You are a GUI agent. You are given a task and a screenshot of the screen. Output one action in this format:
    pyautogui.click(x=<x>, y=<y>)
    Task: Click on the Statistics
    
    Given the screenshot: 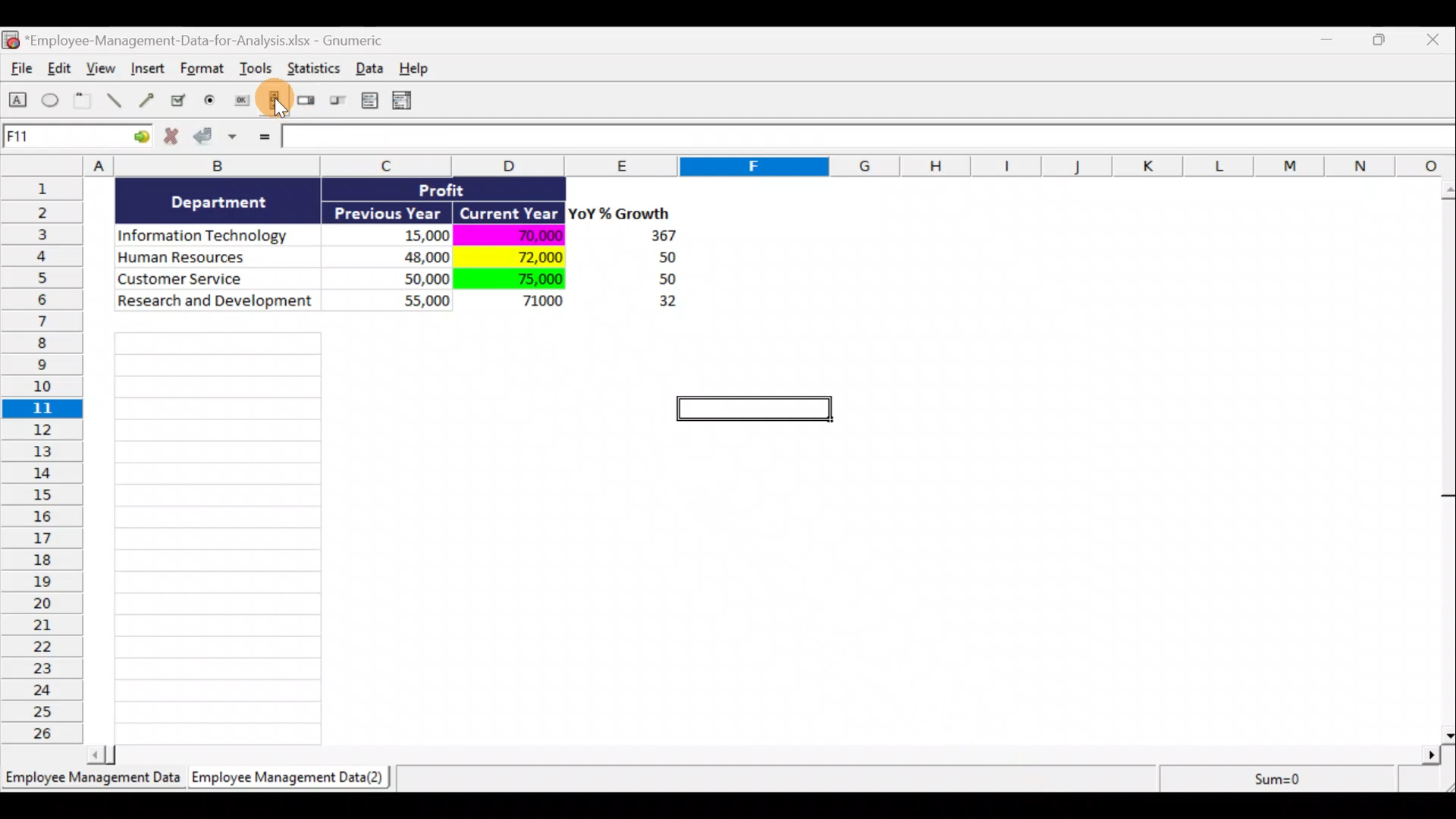 What is the action you would take?
    pyautogui.click(x=315, y=73)
    